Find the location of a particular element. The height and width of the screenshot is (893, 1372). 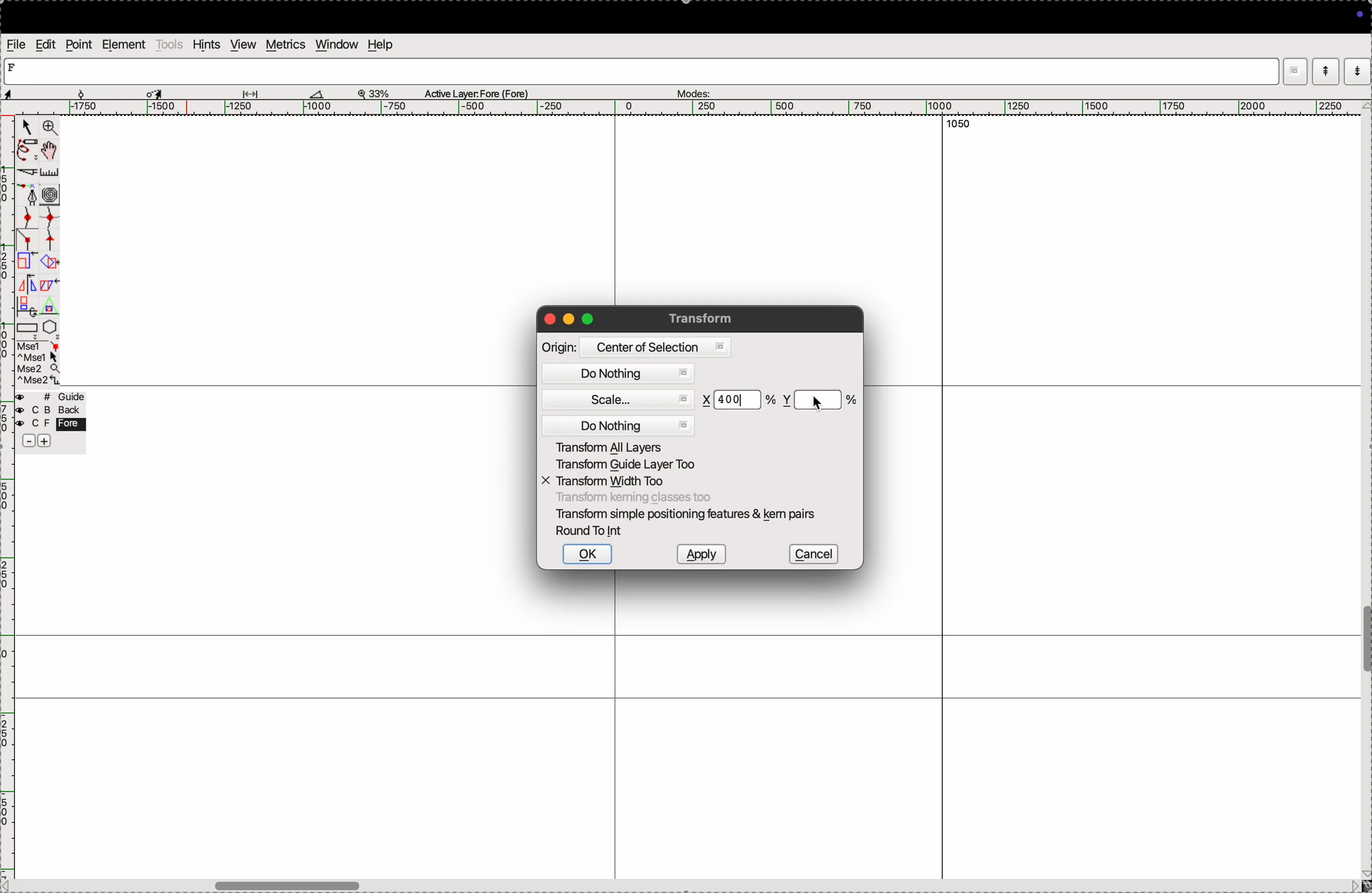

toggle is located at coordinates (51, 150).